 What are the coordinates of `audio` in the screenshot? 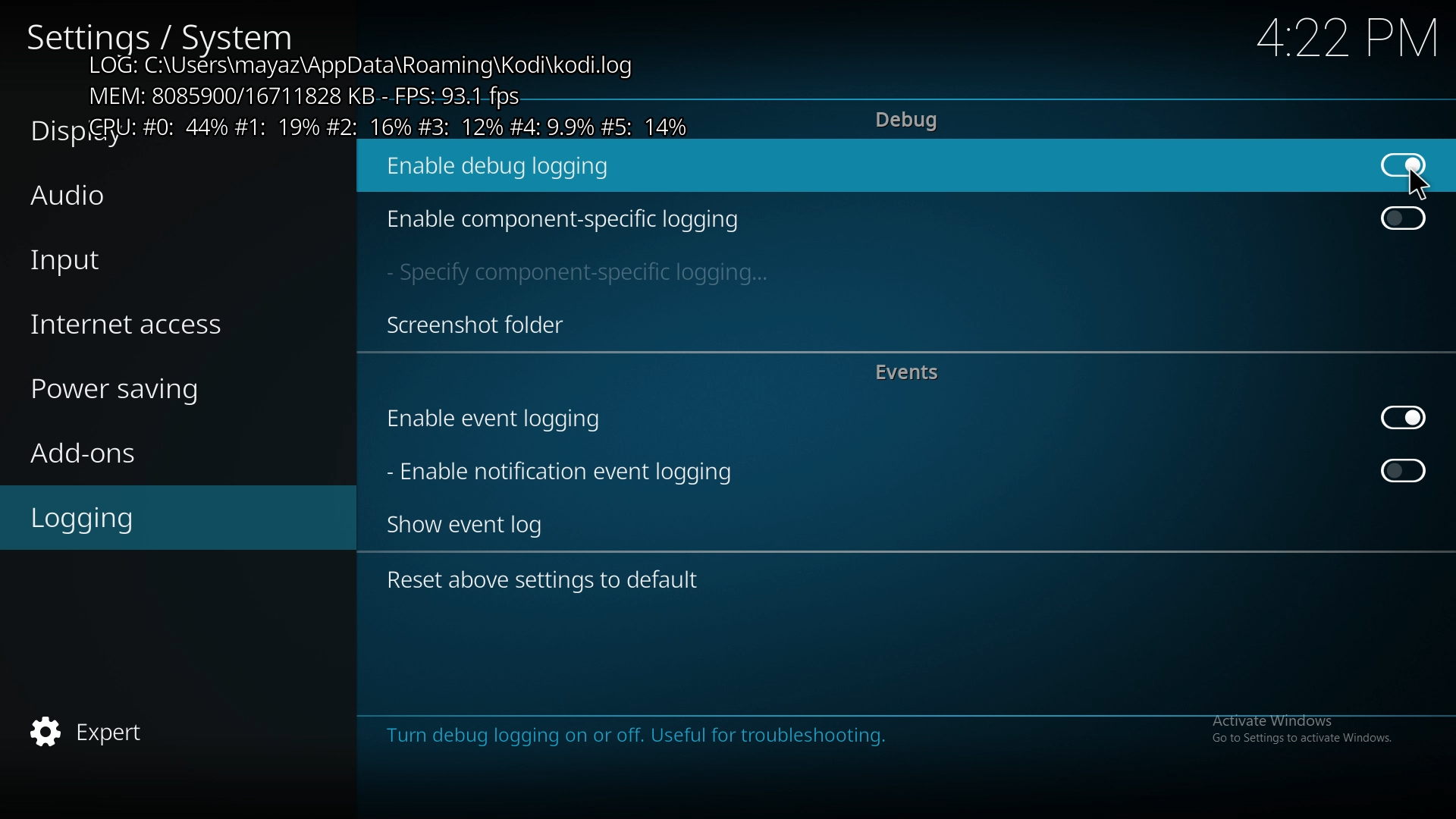 It's located at (155, 192).